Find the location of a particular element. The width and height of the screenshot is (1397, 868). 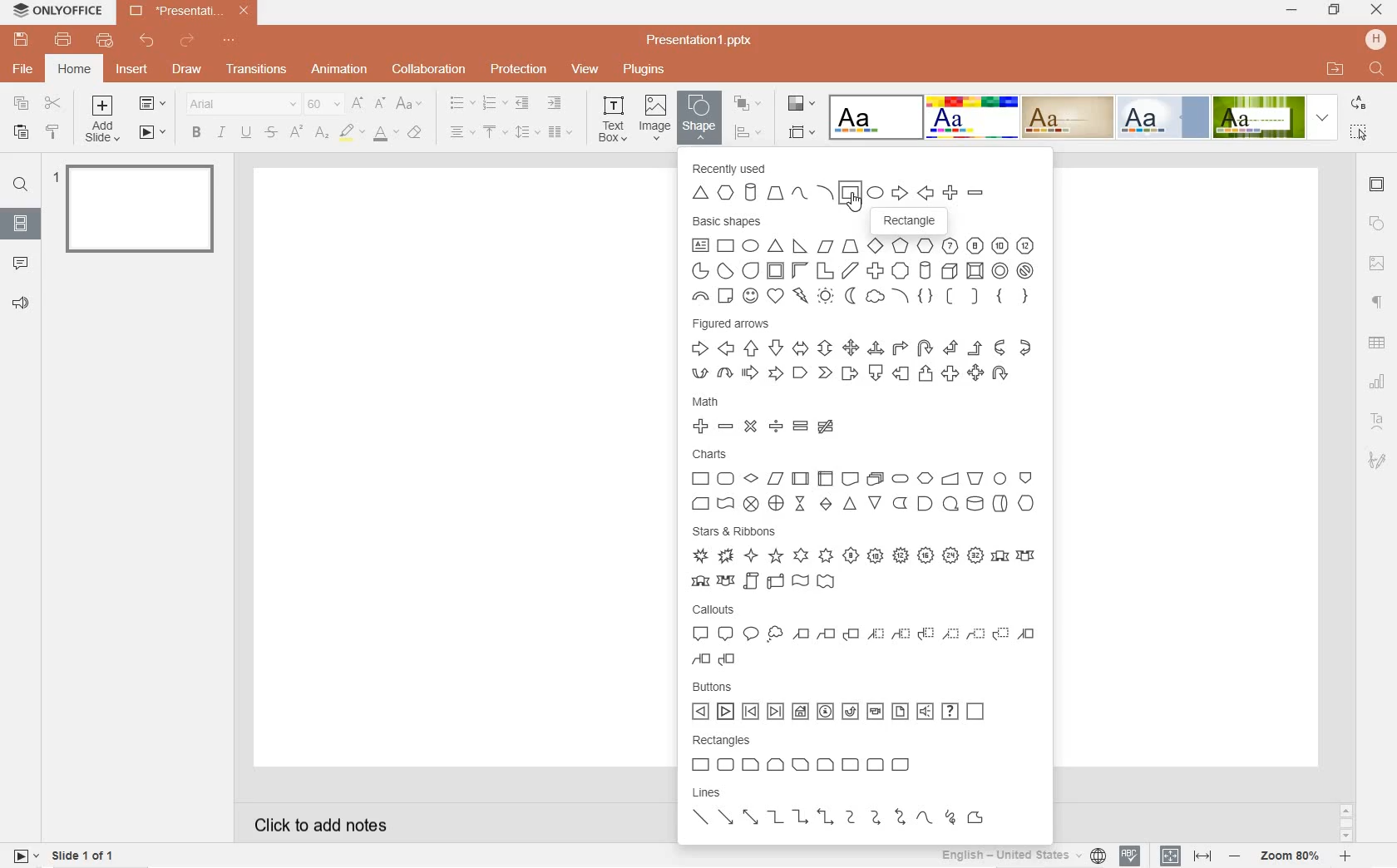

Left Brace is located at coordinates (1002, 296).